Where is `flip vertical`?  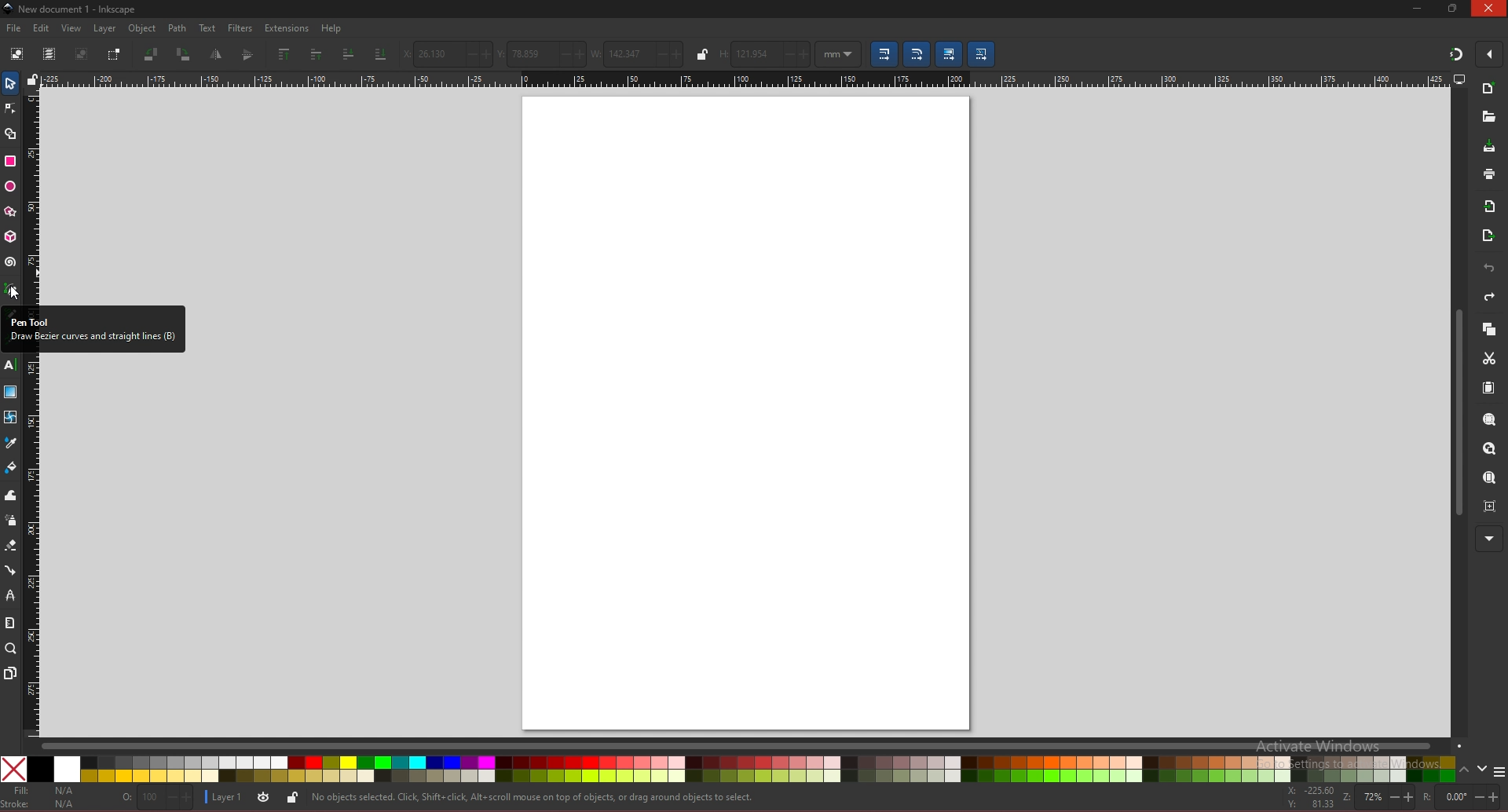 flip vertical is located at coordinates (249, 55).